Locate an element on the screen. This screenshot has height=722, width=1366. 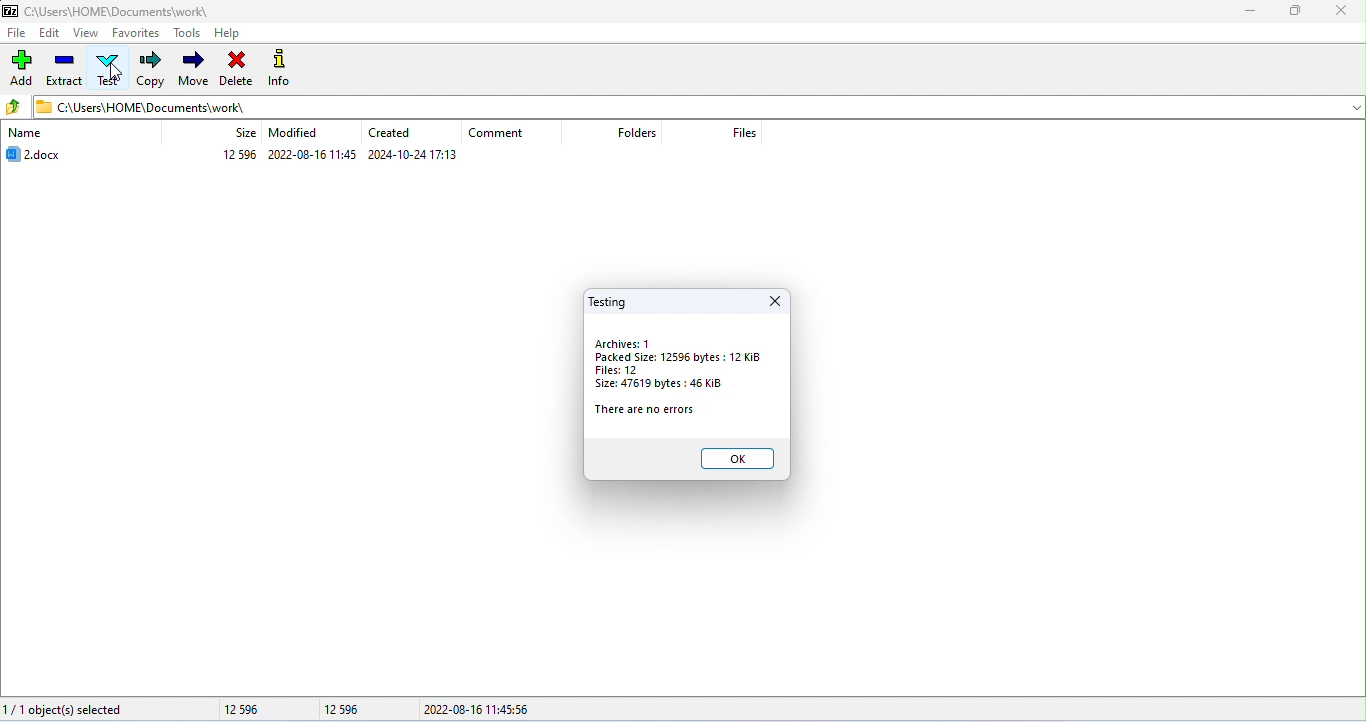
7z C:\Users\HOME\Documents\work\ is located at coordinates (106, 10).